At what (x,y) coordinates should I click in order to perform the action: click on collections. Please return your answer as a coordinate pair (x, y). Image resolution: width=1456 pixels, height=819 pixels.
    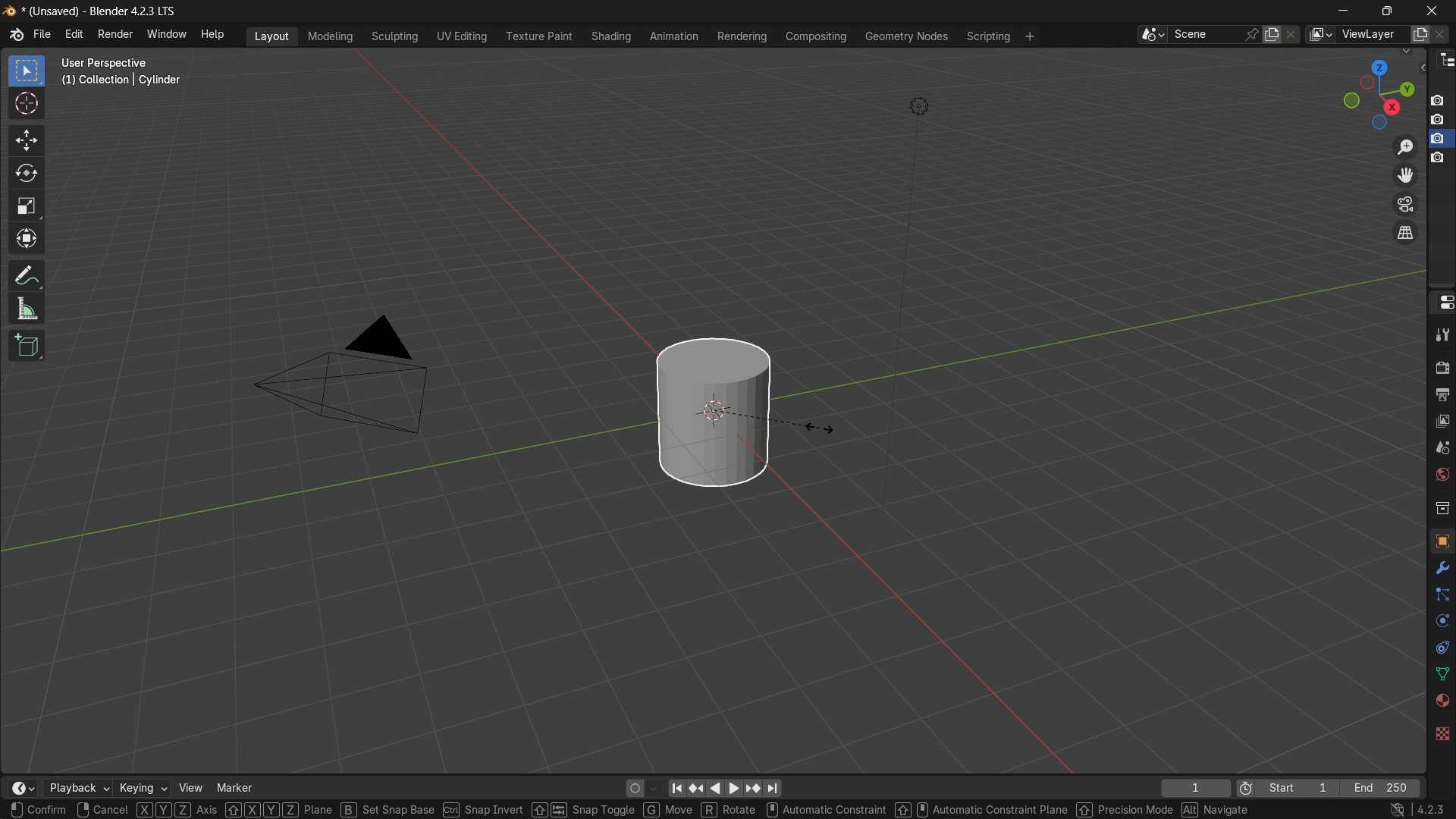
    Looking at the image, I should click on (1442, 508).